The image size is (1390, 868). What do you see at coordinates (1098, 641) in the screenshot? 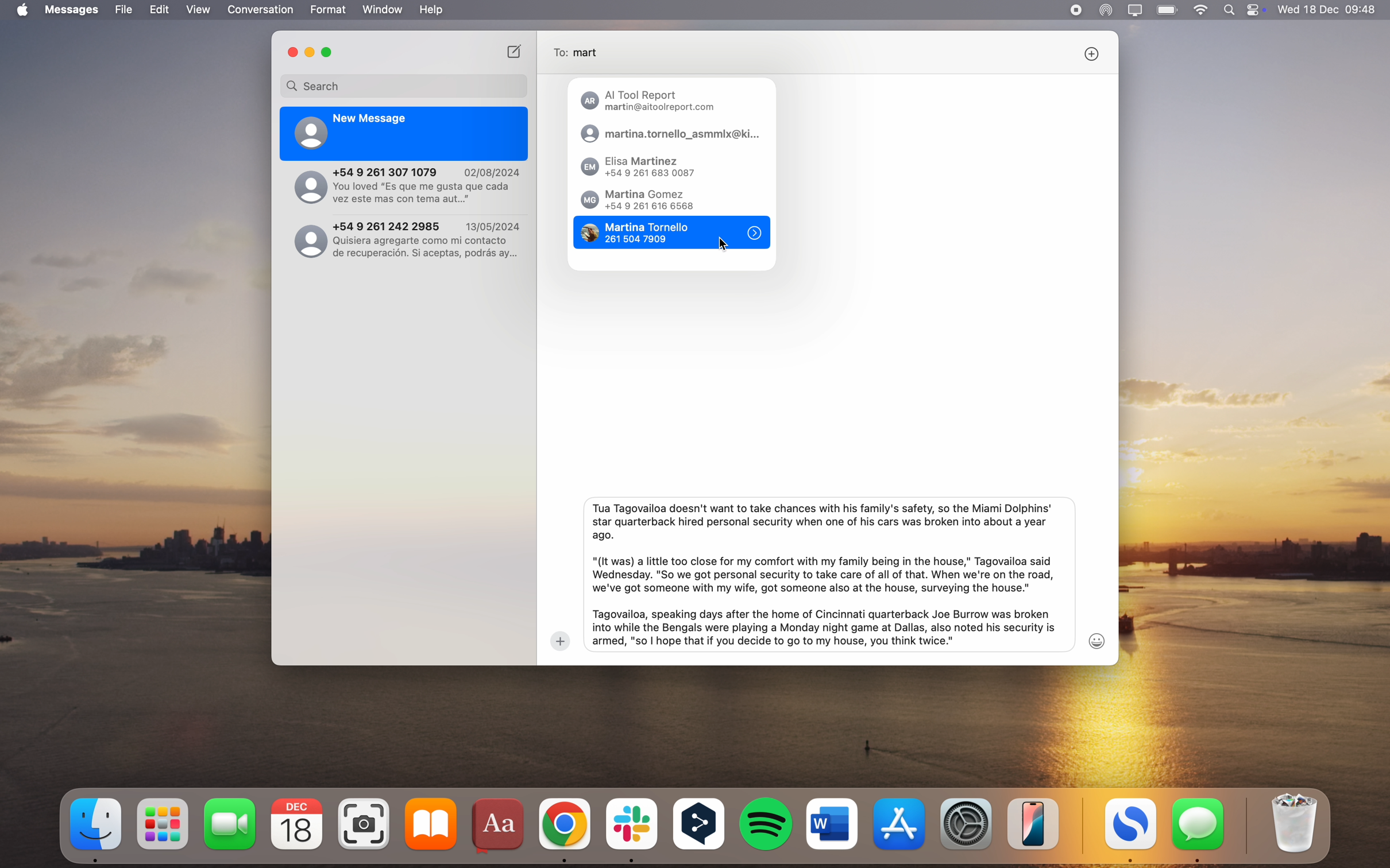
I see `emojis` at bounding box center [1098, 641].